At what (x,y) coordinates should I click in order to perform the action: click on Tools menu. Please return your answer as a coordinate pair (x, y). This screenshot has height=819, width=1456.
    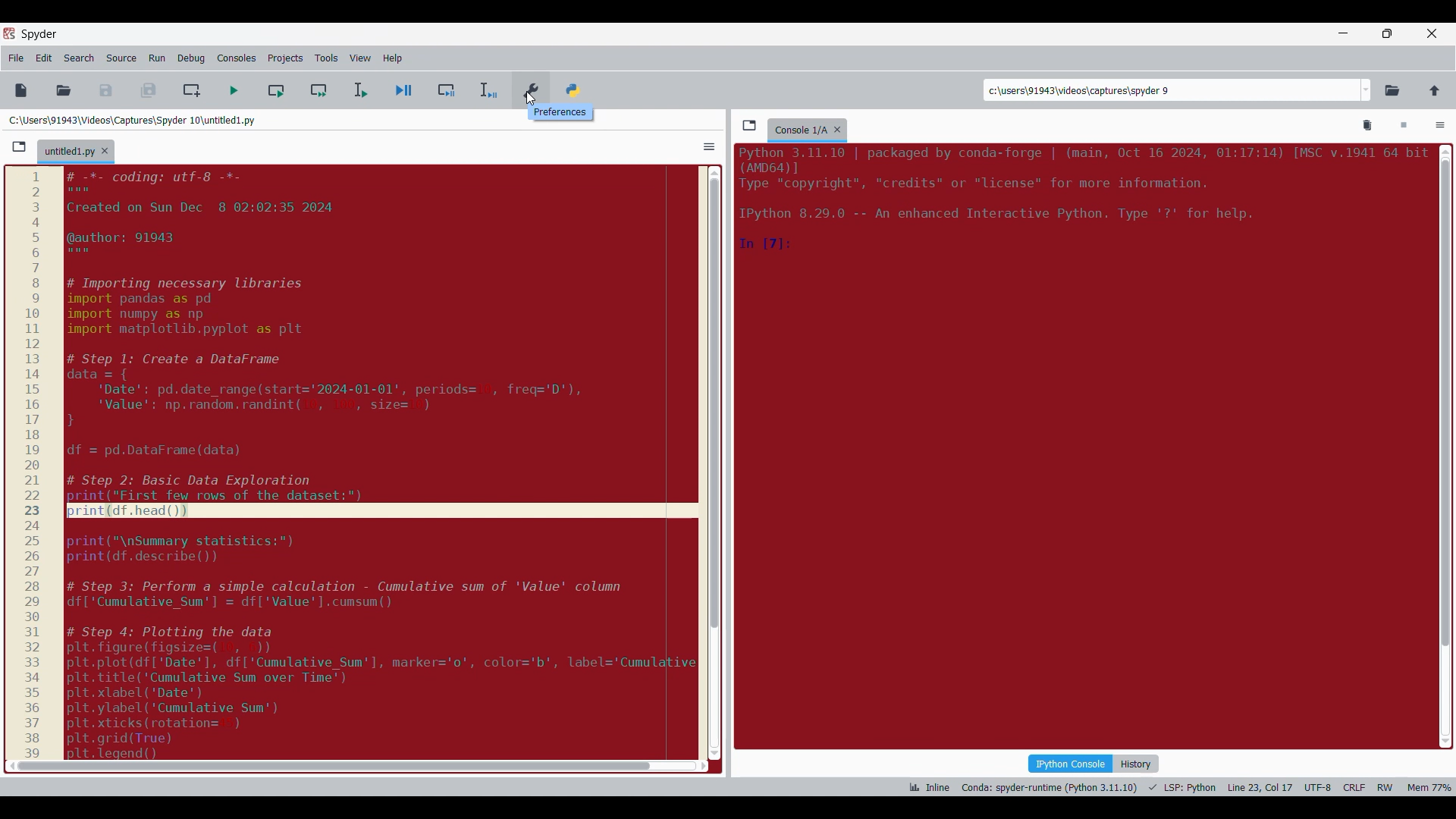
    Looking at the image, I should click on (326, 58).